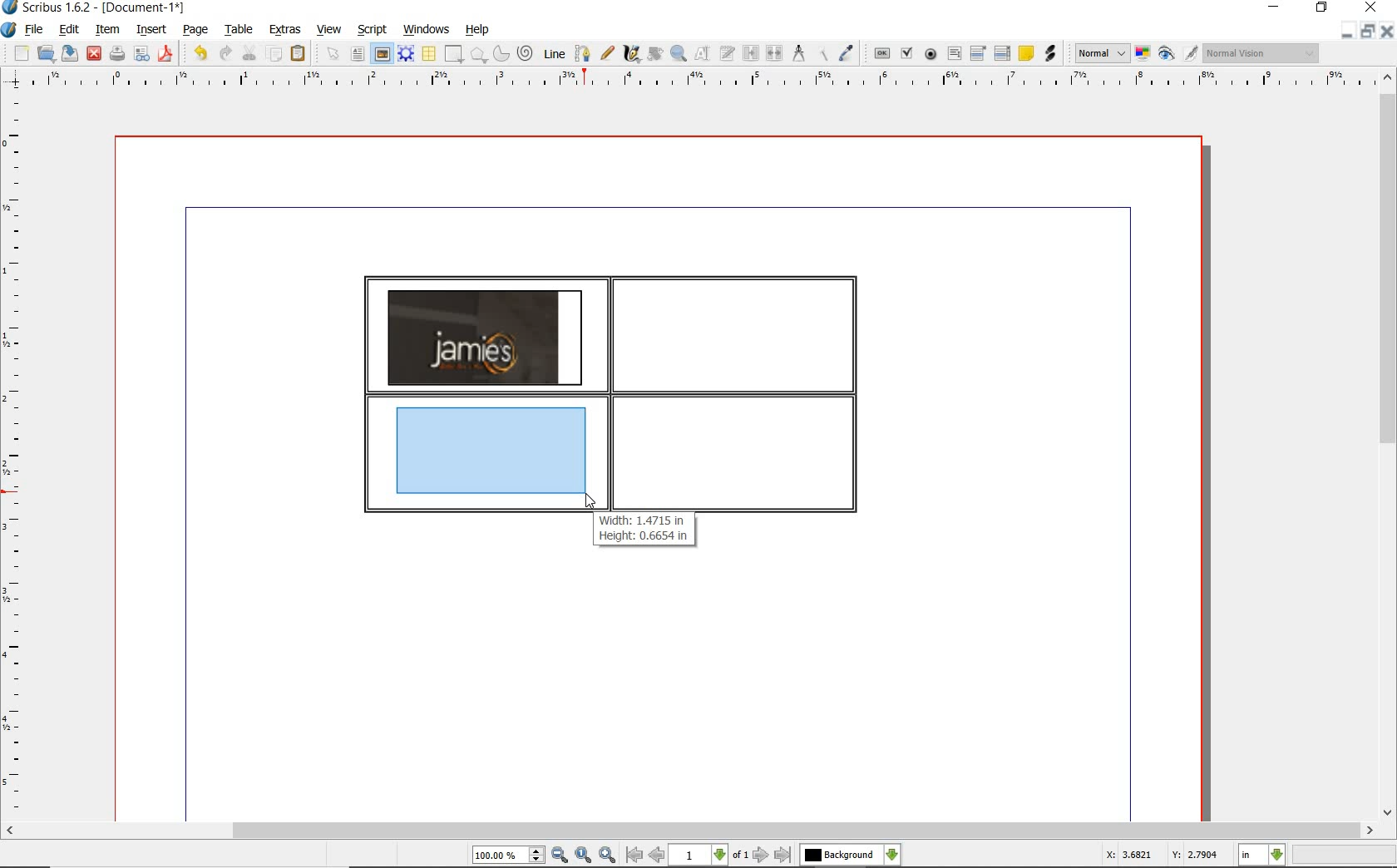 This screenshot has height=868, width=1397. What do you see at coordinates (608, 856) in the screenshot?
I see `zoom in` at bounding box center [608, 856].